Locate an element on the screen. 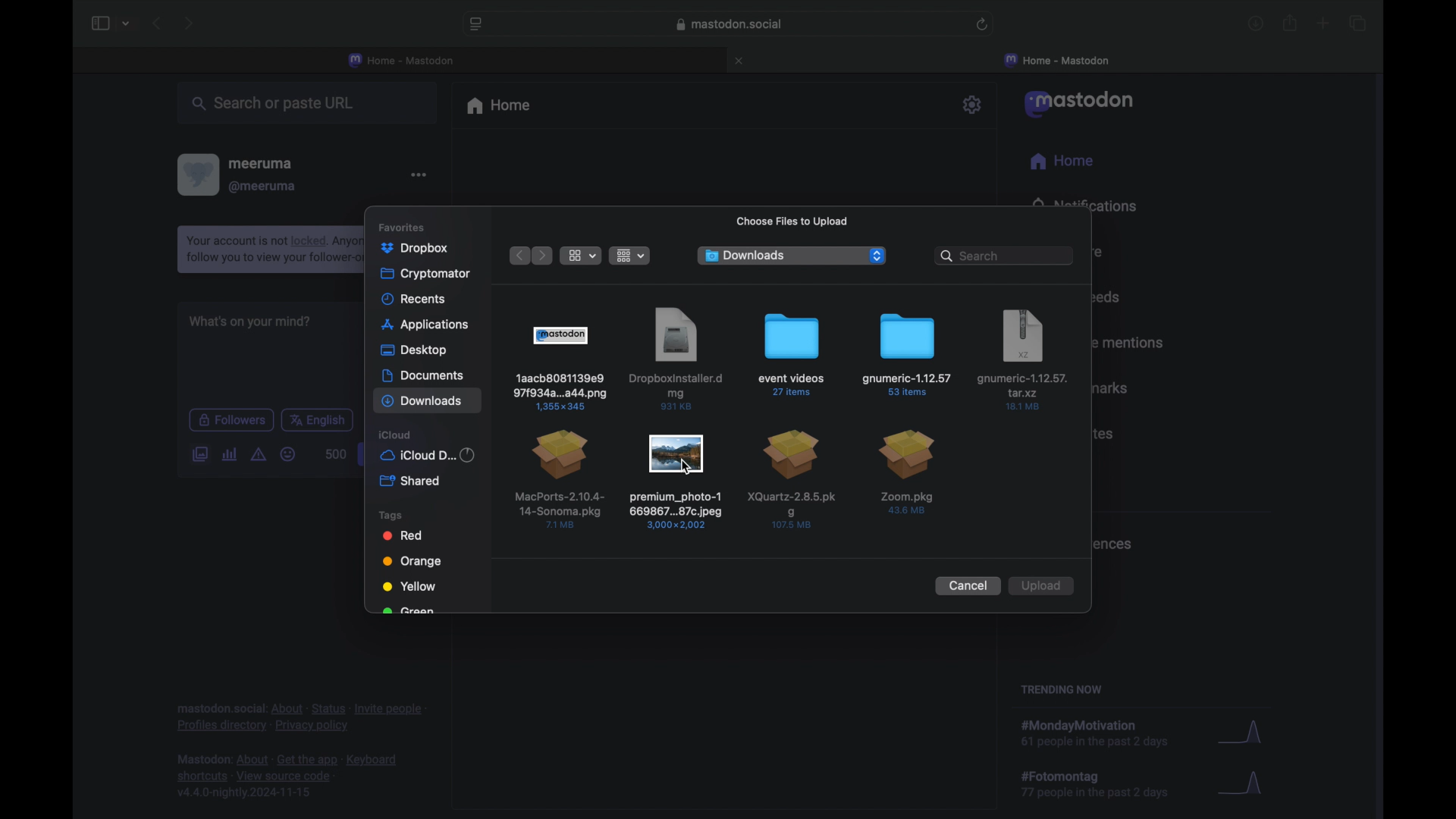 This screenshot has width=1456, height=819. desktop is located at coordinates (414, 350).